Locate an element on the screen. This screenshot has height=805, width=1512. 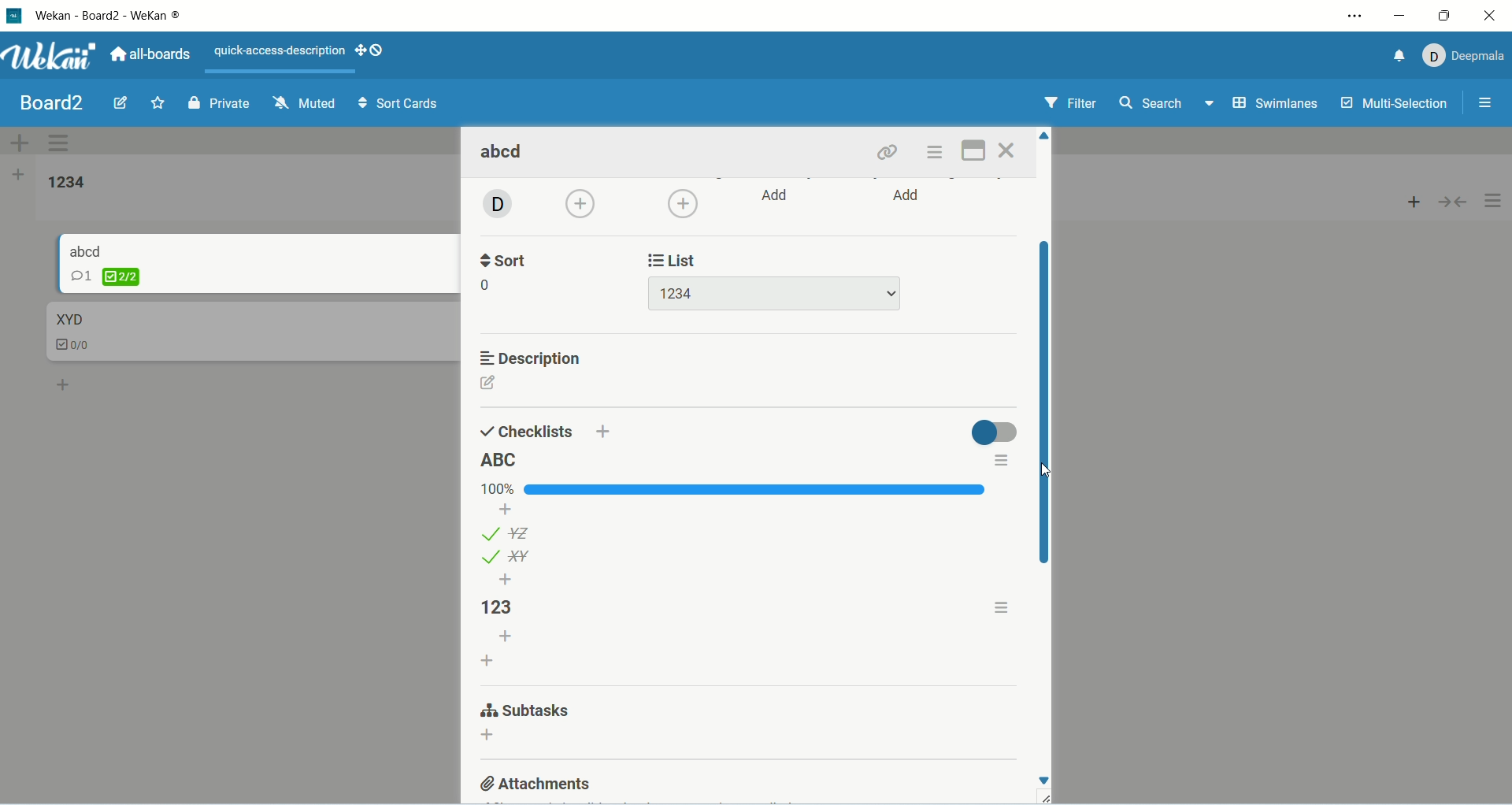
edit is located at coordinates (120, 102).